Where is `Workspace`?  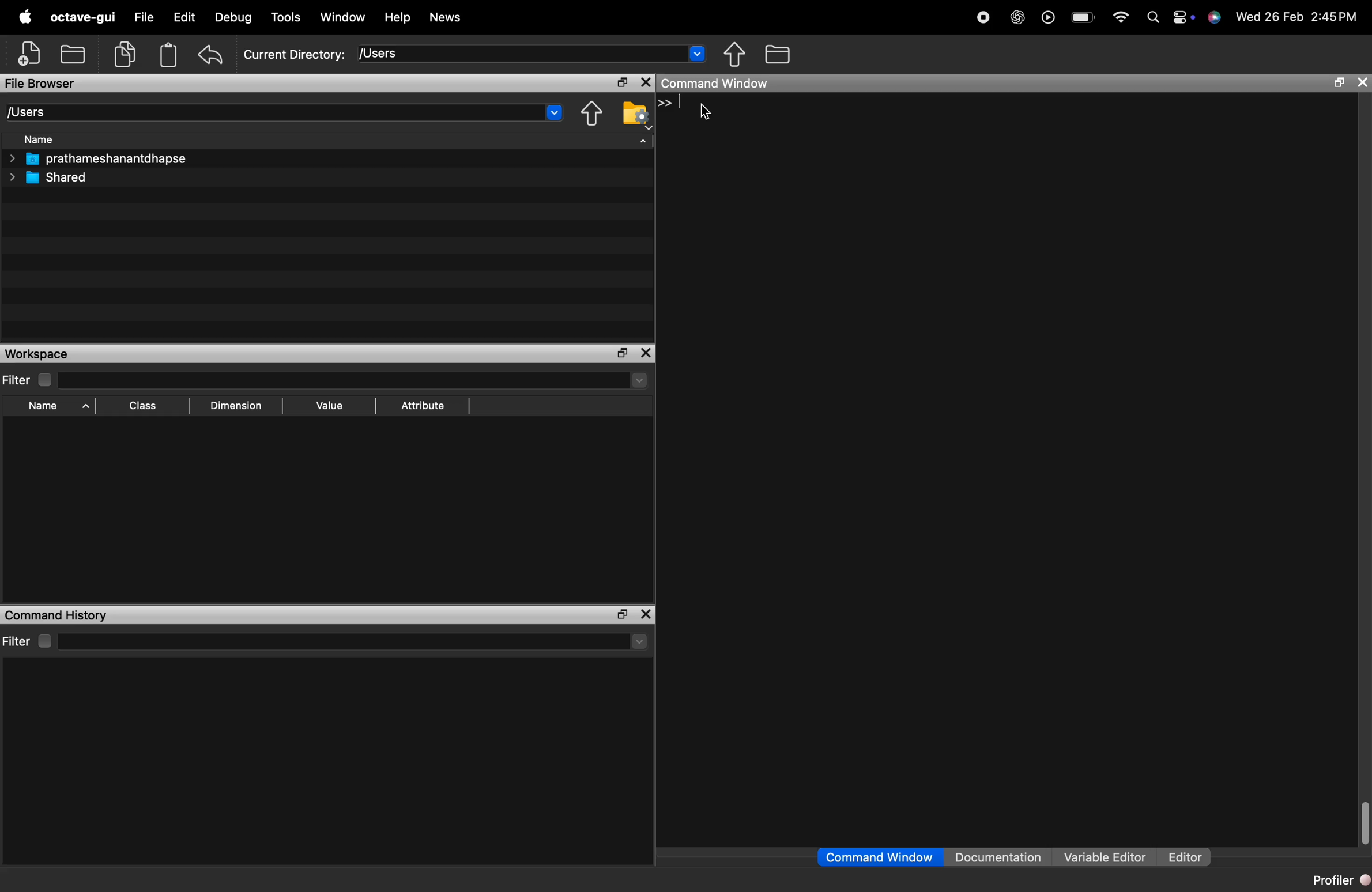 Workspace is located at coordinates (36, 353).